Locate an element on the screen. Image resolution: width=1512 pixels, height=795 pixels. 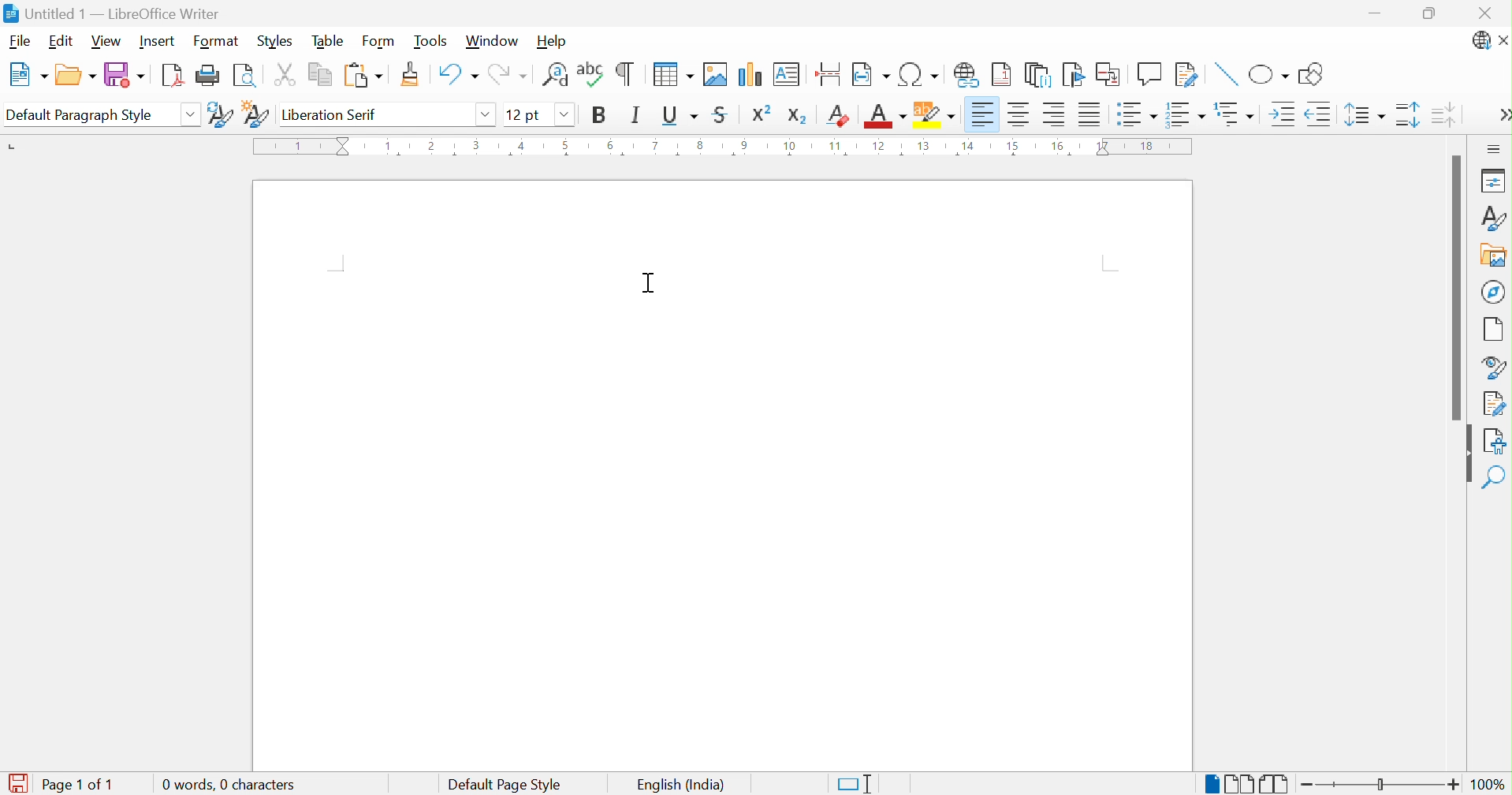
Insert page break is located at coordinates (831, 70).